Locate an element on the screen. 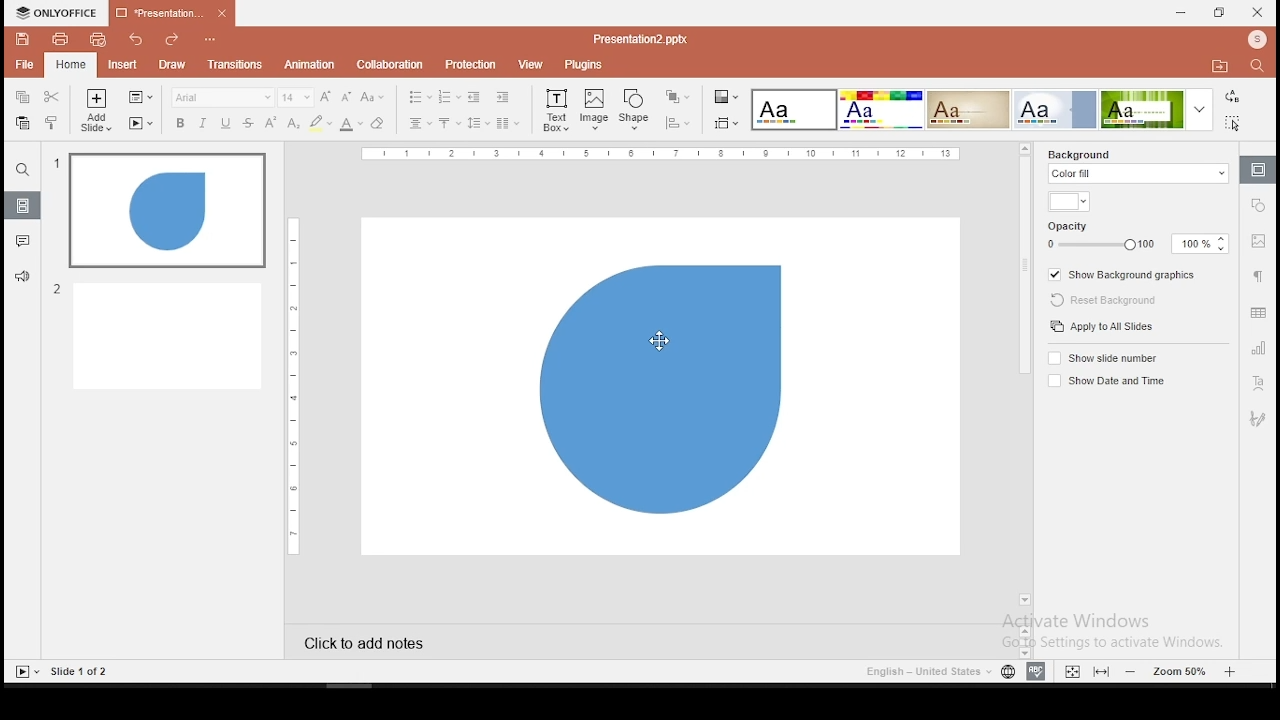 The width and height of the screenshot is (1280, 720). zoom level is located at coordinates (1181, 671).